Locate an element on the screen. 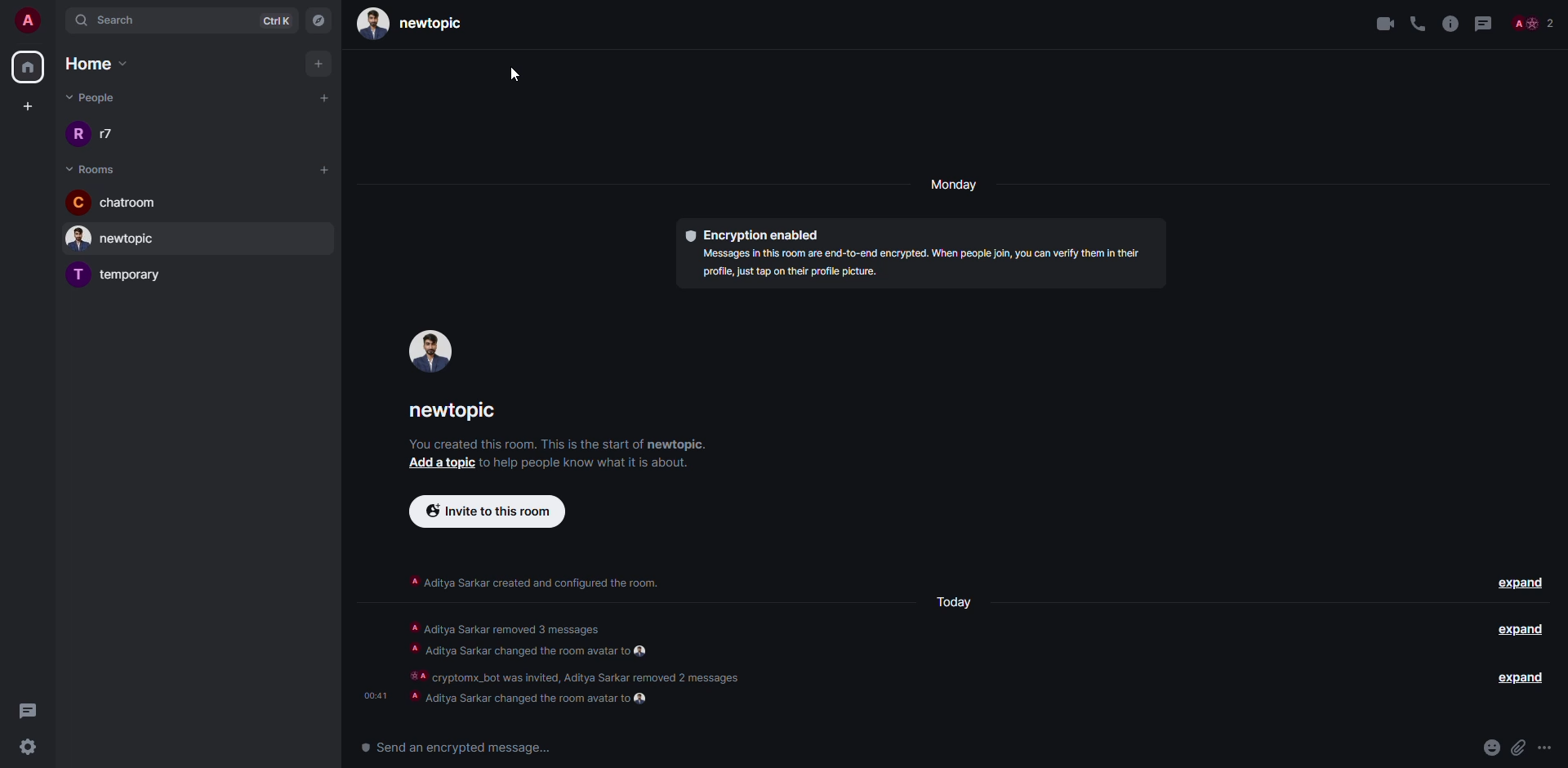 This screenshot has height=768, width=1568. info is located at coordinates (1449, 22).